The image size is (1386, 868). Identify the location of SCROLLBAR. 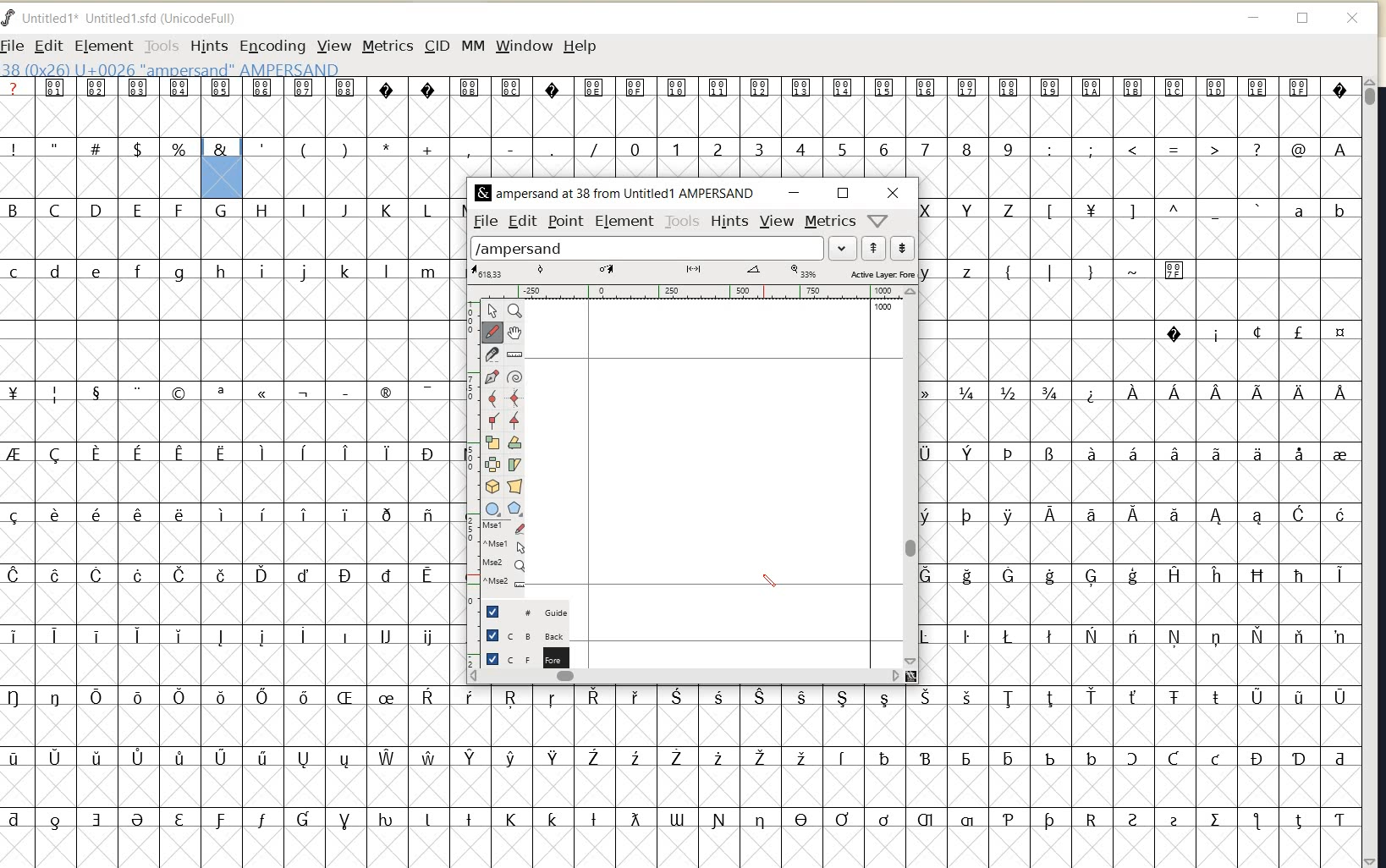
(1372, 472).